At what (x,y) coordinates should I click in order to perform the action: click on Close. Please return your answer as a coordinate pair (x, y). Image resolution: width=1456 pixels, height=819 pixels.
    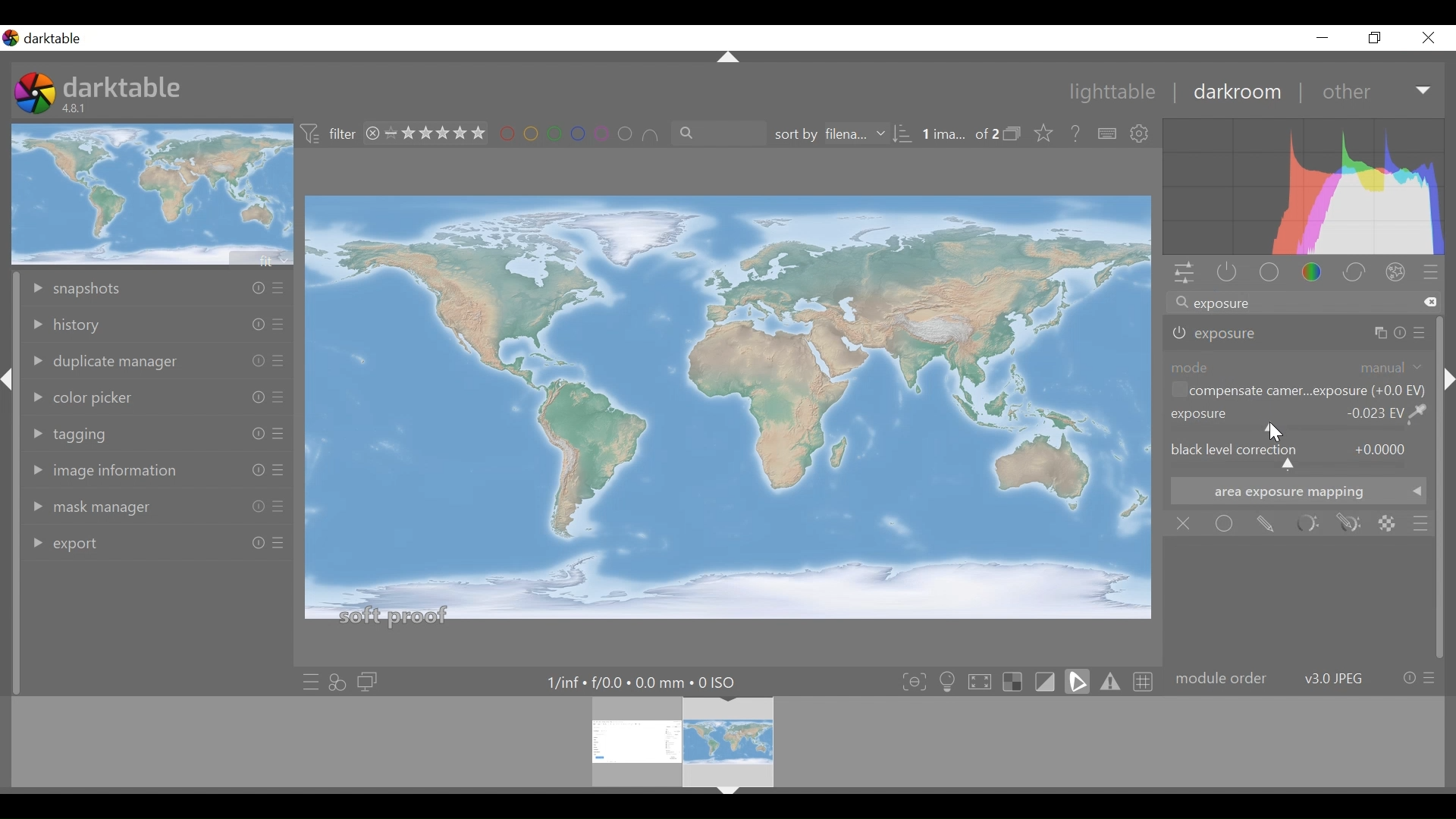
    Looking at the image, I should click on (1429, 37).